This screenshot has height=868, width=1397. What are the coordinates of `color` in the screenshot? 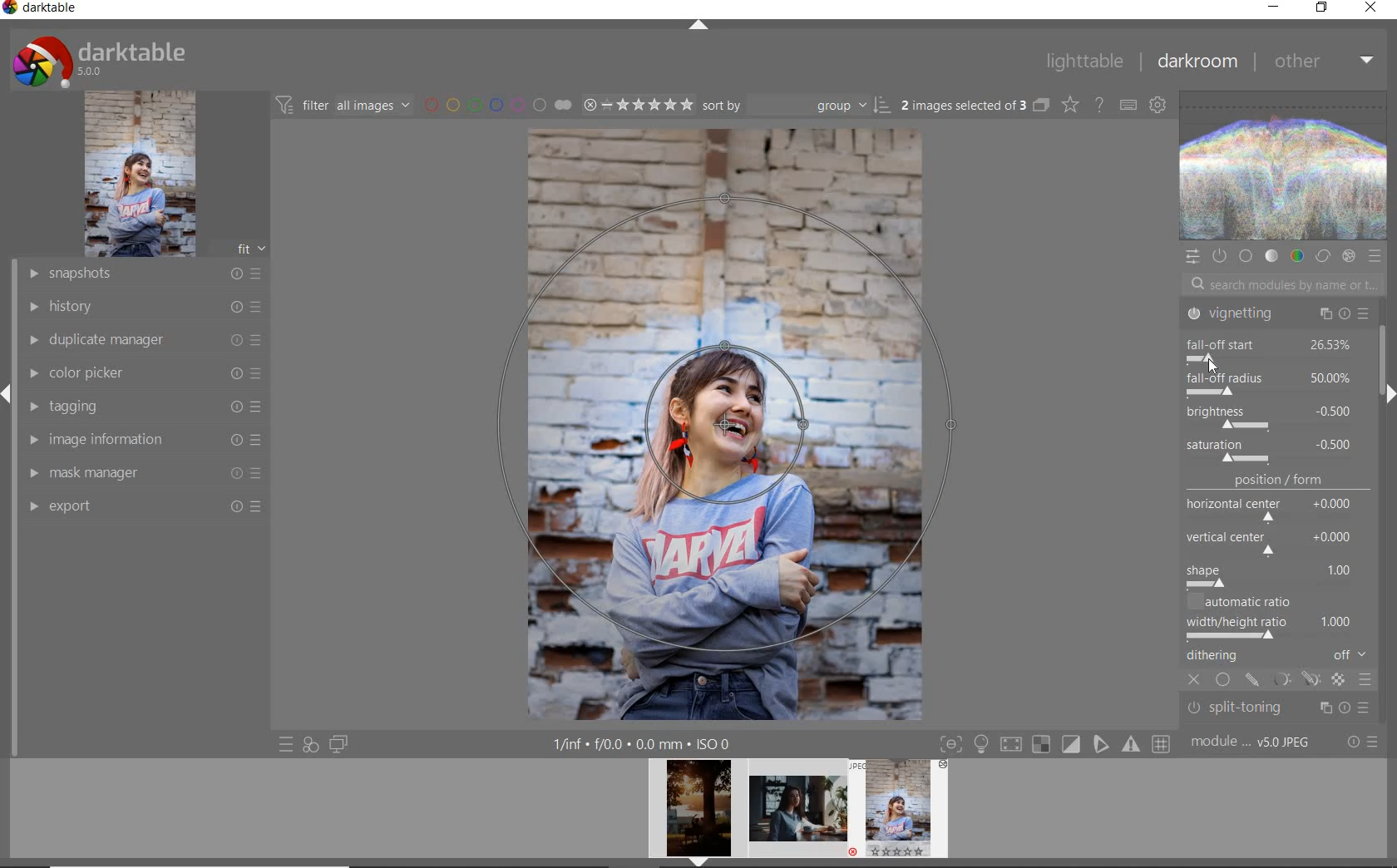 It's located at (1296, 255).